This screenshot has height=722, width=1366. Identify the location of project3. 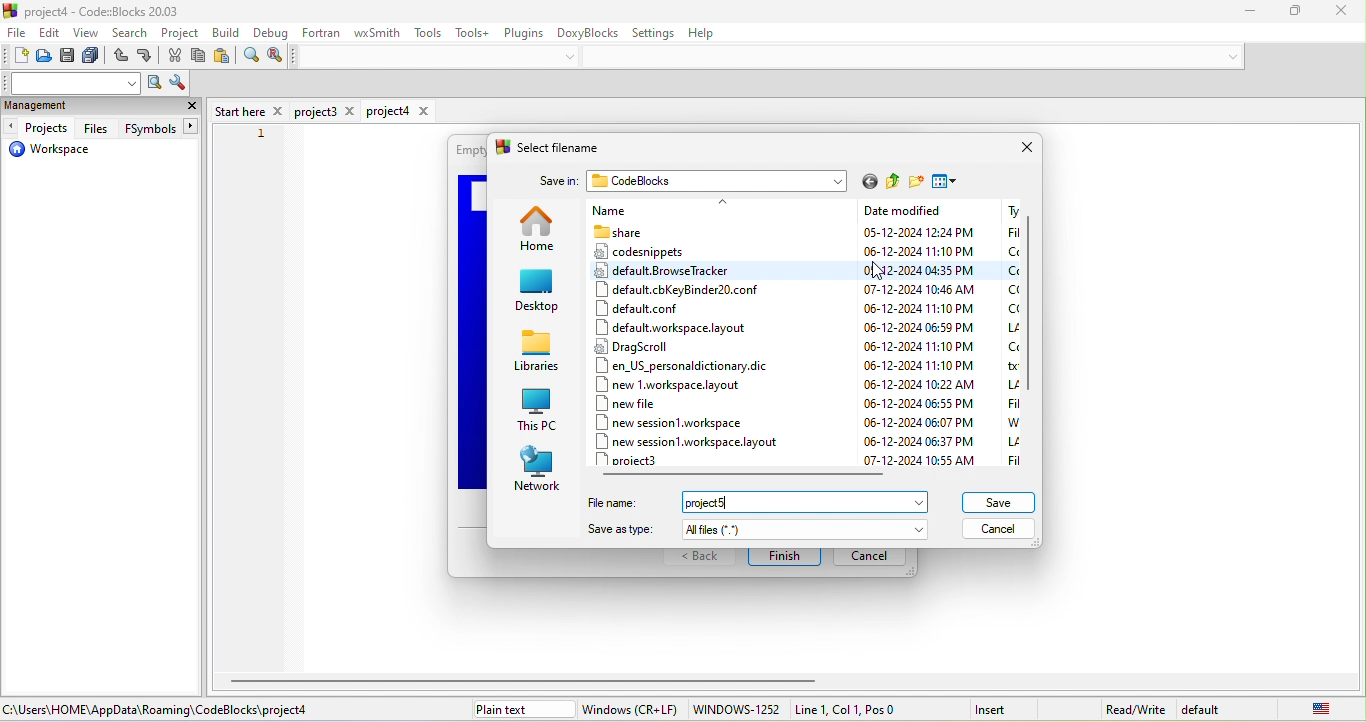
(642, 461).